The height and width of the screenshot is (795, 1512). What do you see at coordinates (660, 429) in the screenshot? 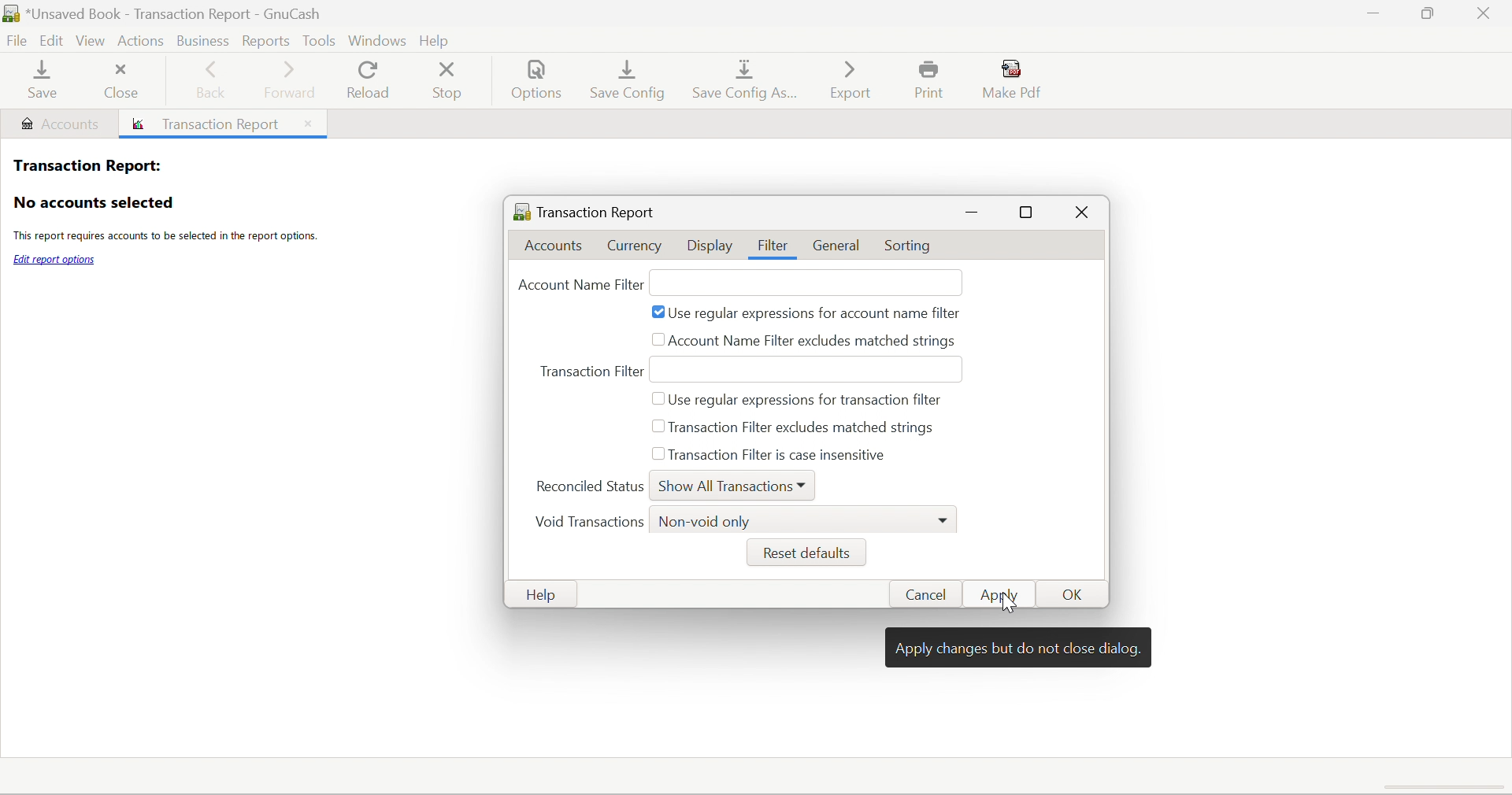
I see `checkbox` at bounding box center [660, 429].